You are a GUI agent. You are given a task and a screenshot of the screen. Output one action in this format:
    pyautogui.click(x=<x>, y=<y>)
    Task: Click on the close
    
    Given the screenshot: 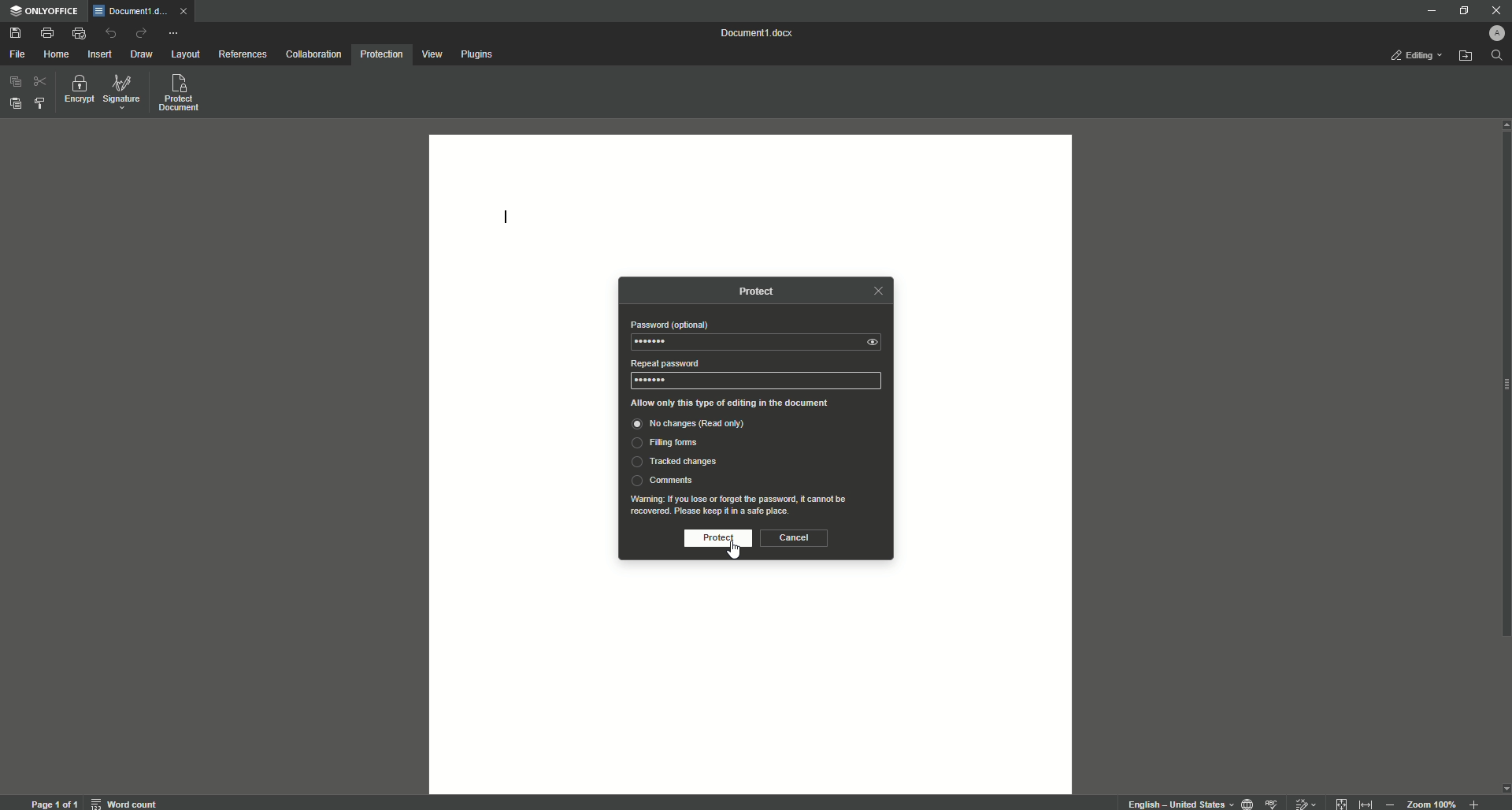 What is the action you would take?
    pyautogui.click(x=187, y=14)
    